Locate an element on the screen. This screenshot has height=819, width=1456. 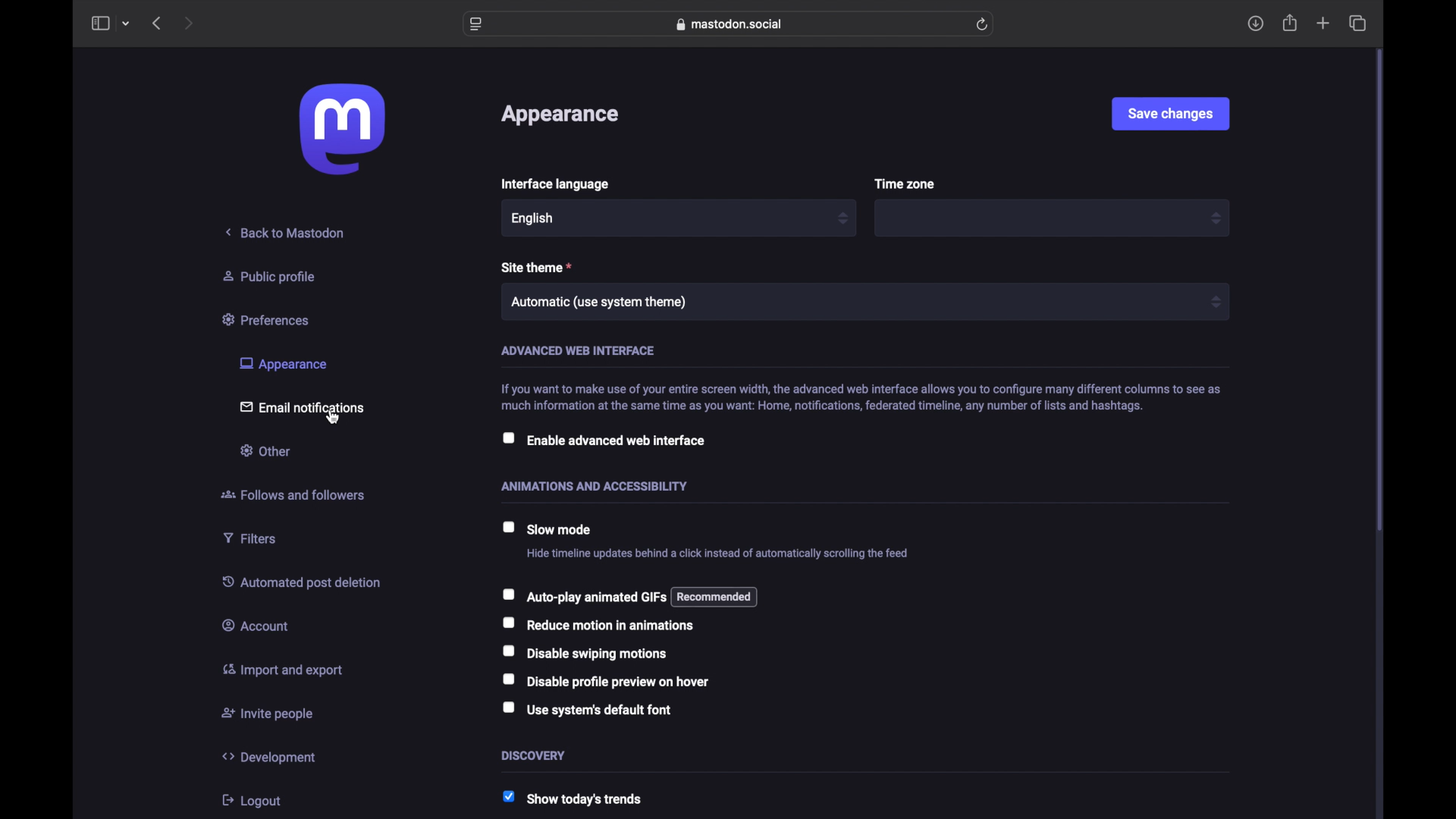
email notifications is located at coordinates (302, 406).